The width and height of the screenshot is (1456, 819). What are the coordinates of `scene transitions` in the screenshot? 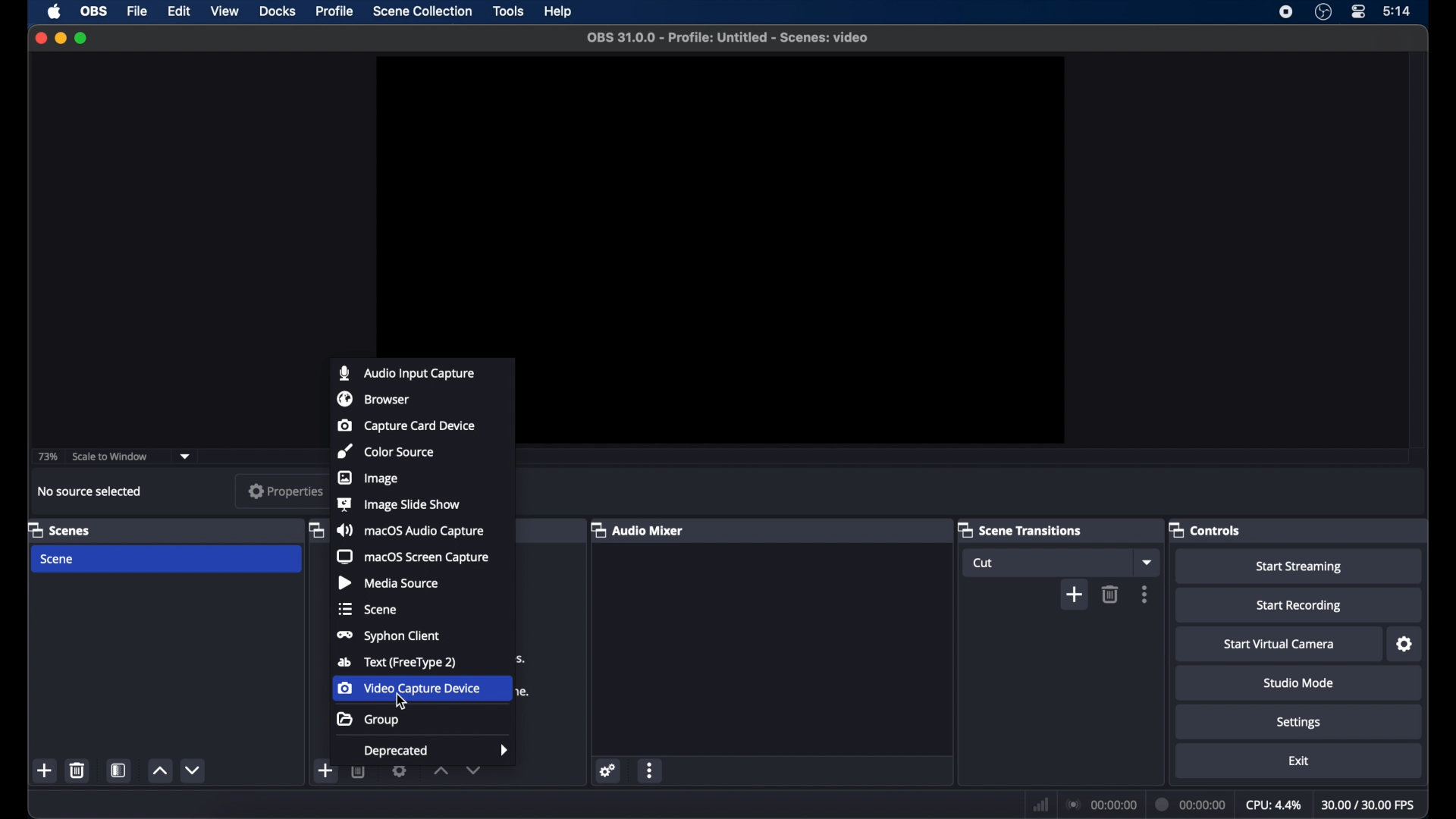 It's located at (1019, 529).